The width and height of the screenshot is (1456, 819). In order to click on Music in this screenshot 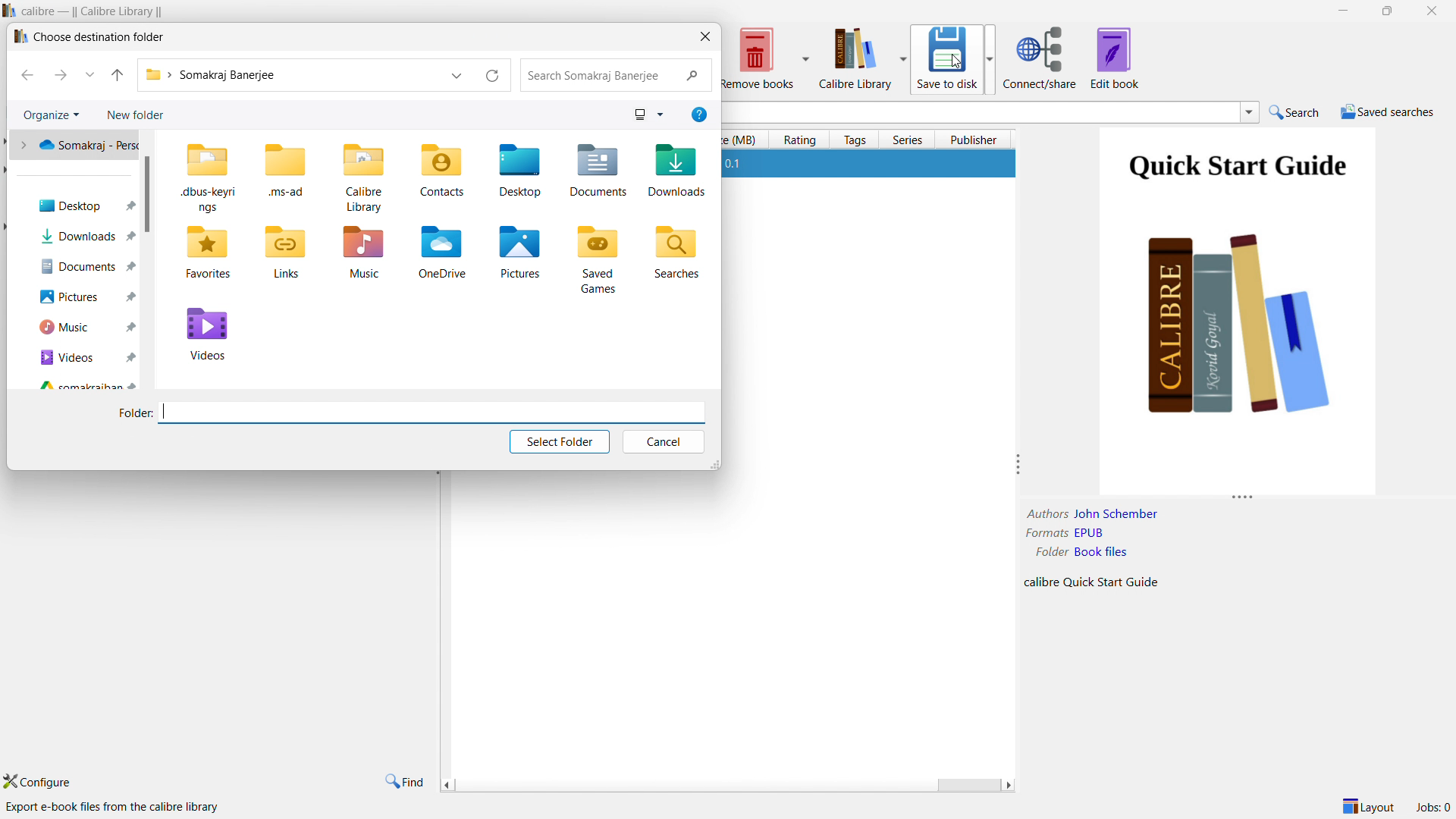, I will do `click(86, 327)`.